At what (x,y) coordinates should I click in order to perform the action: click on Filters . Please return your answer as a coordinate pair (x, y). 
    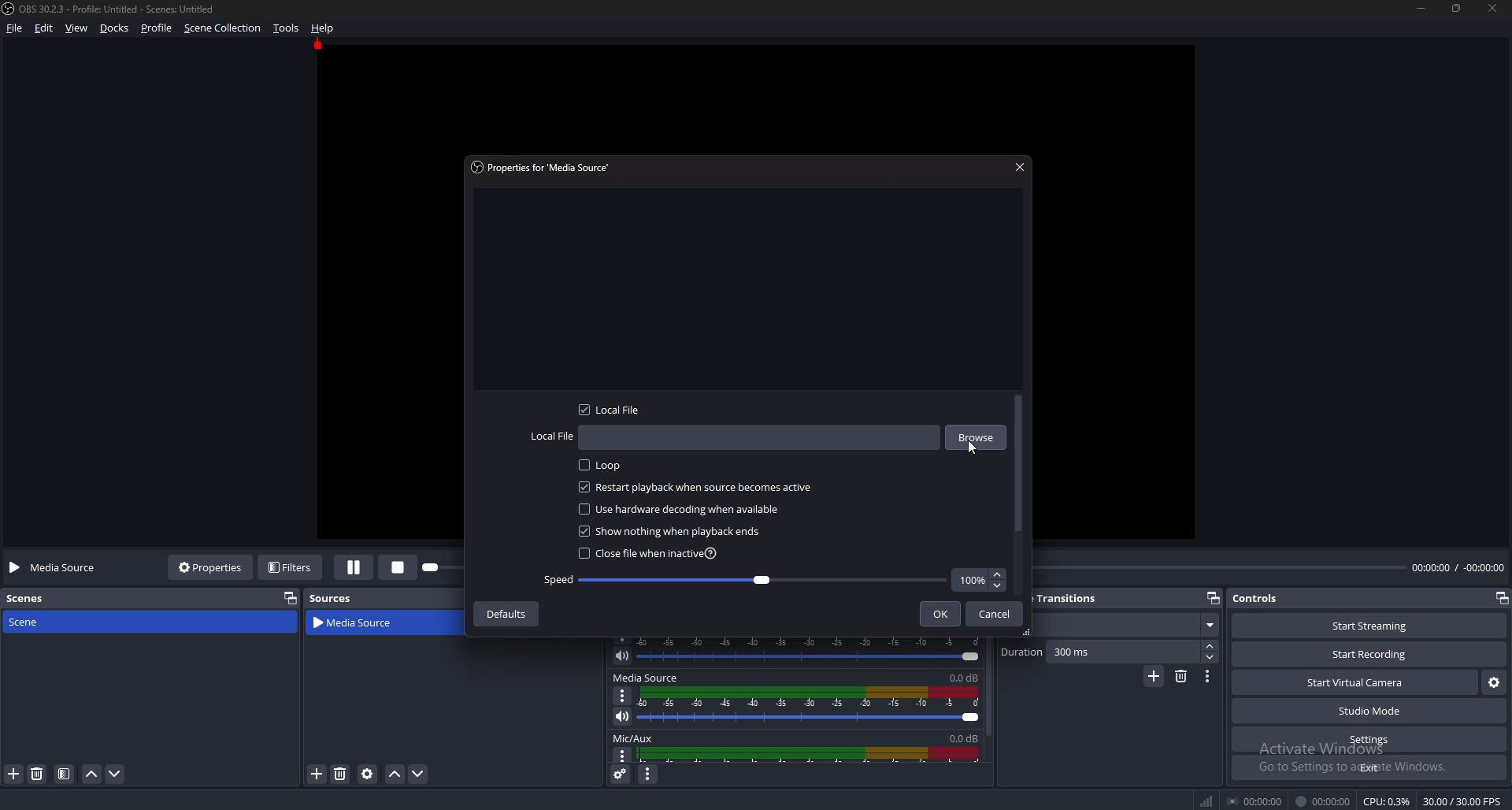
    Looking at the image, I should click on (292, 567).